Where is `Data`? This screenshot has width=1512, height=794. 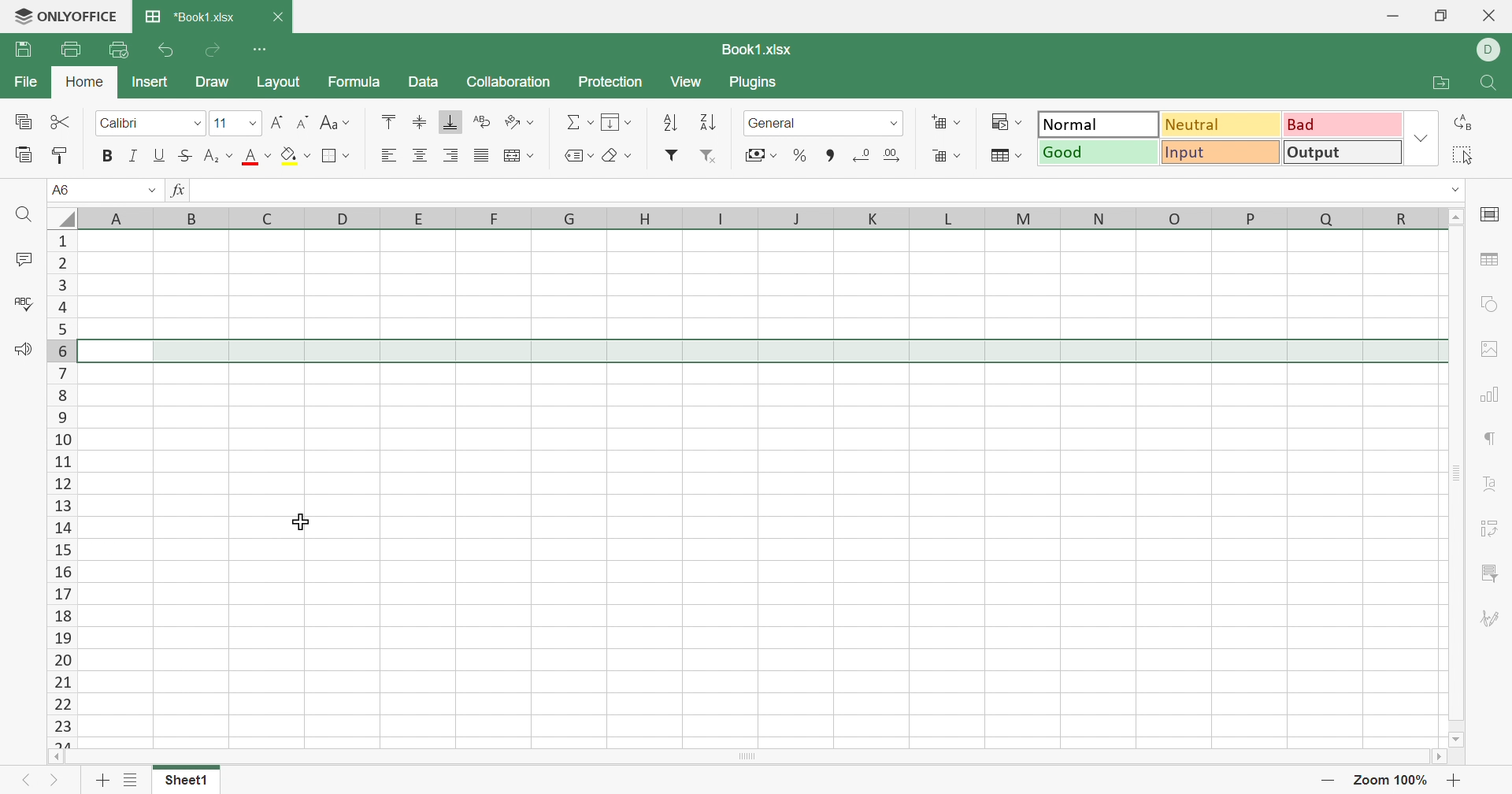
Data is located at coordinates (423, 82).